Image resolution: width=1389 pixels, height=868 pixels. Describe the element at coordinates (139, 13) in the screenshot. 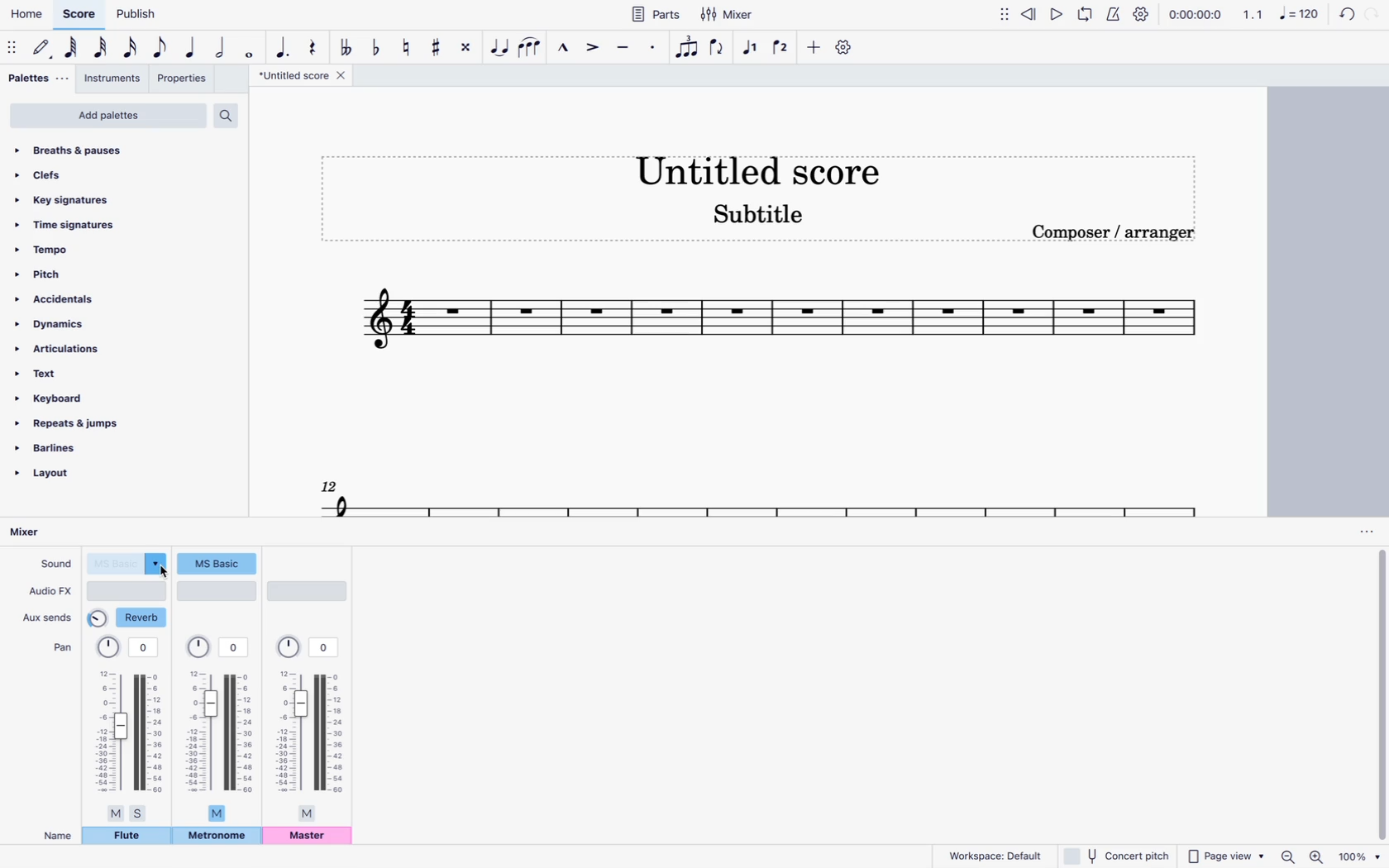

I see `publish` at that location.